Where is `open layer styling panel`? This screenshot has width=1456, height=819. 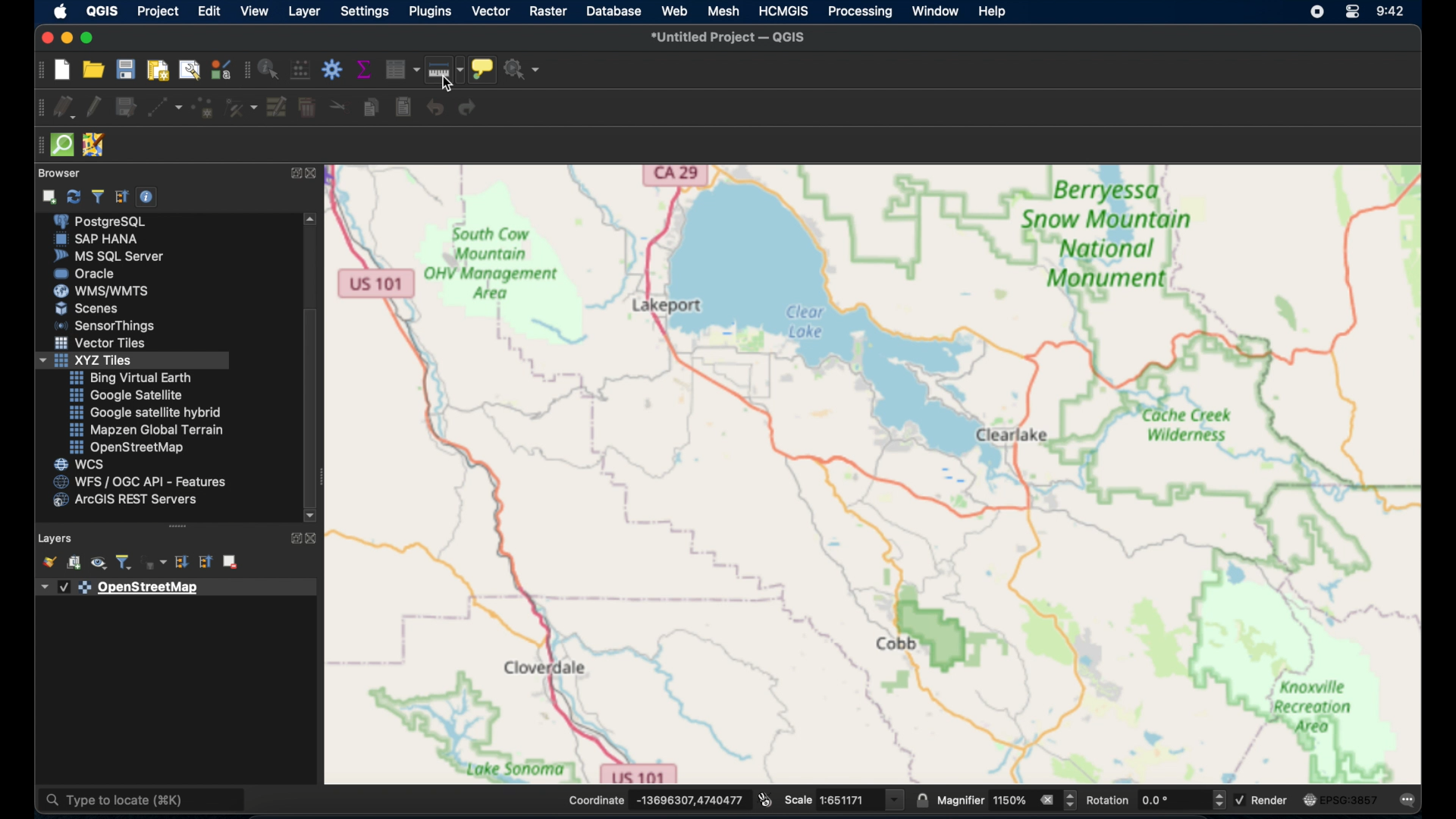 open layer styling panel is located at coordinates (49, 562).